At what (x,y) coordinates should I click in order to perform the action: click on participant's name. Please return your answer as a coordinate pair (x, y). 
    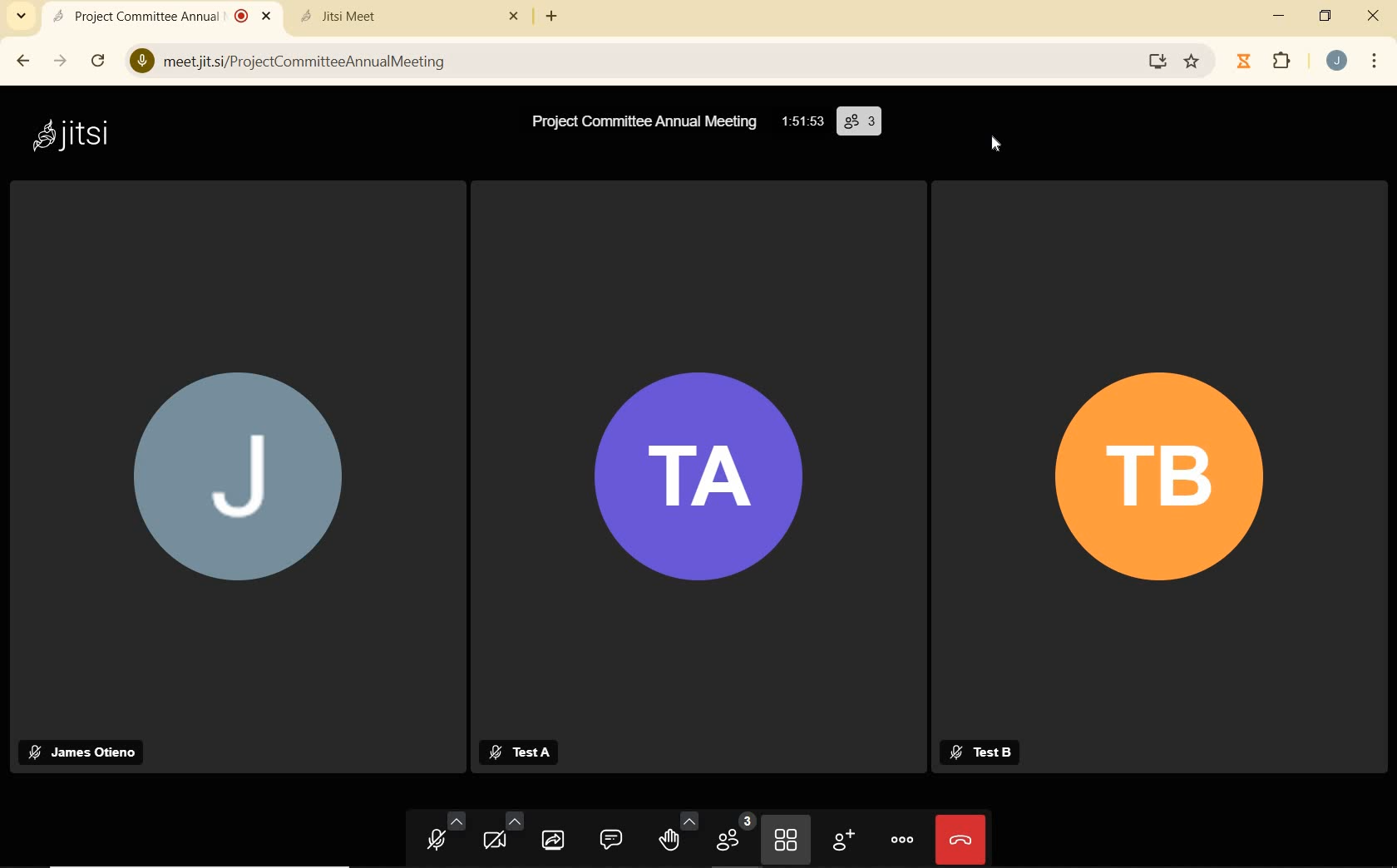
    Looking at the image, I should click on (994, 751).